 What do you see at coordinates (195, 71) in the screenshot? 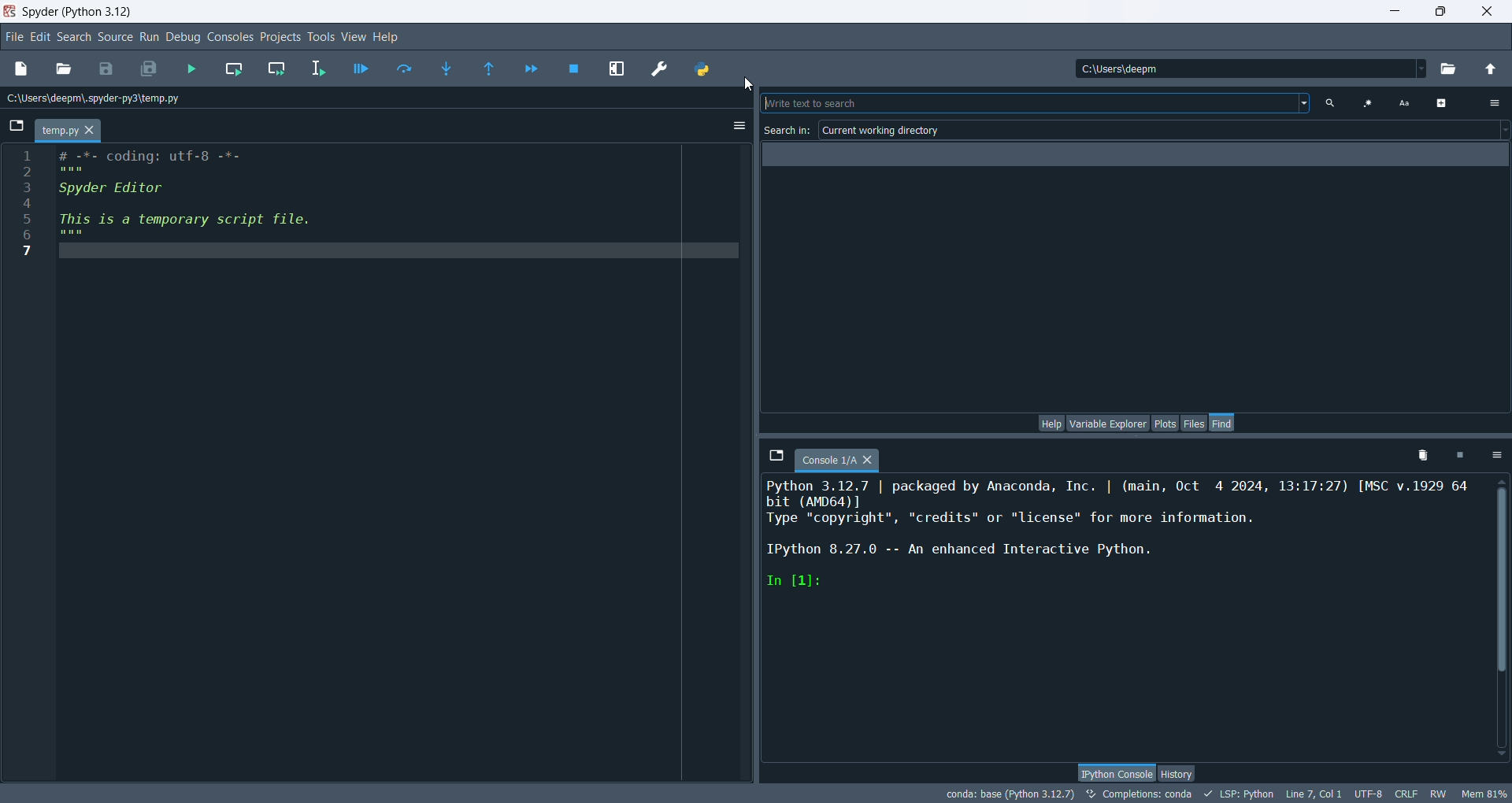
I see `run files` at bounding box center [195, 71].